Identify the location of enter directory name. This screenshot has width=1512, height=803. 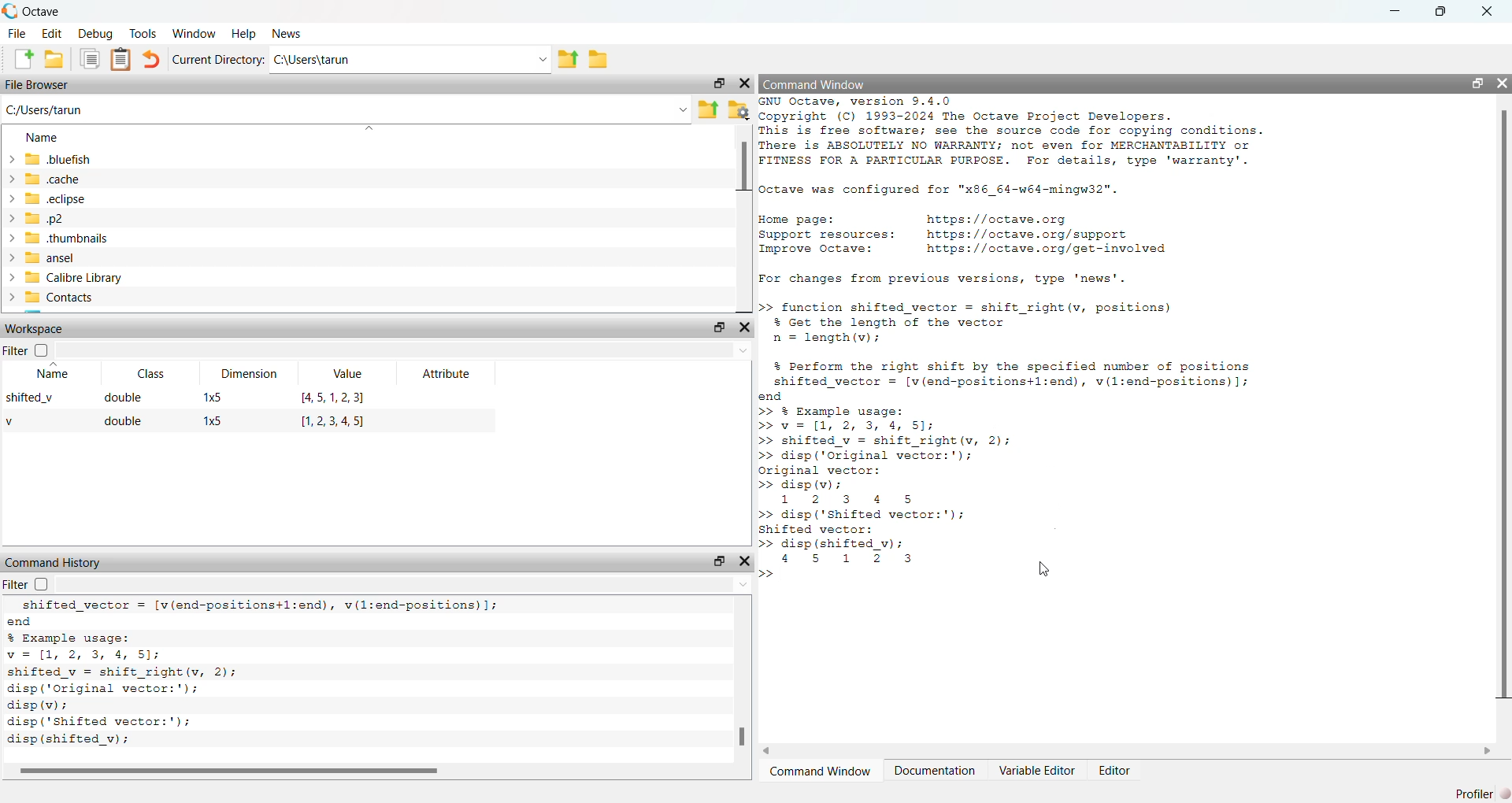
(411, 62).